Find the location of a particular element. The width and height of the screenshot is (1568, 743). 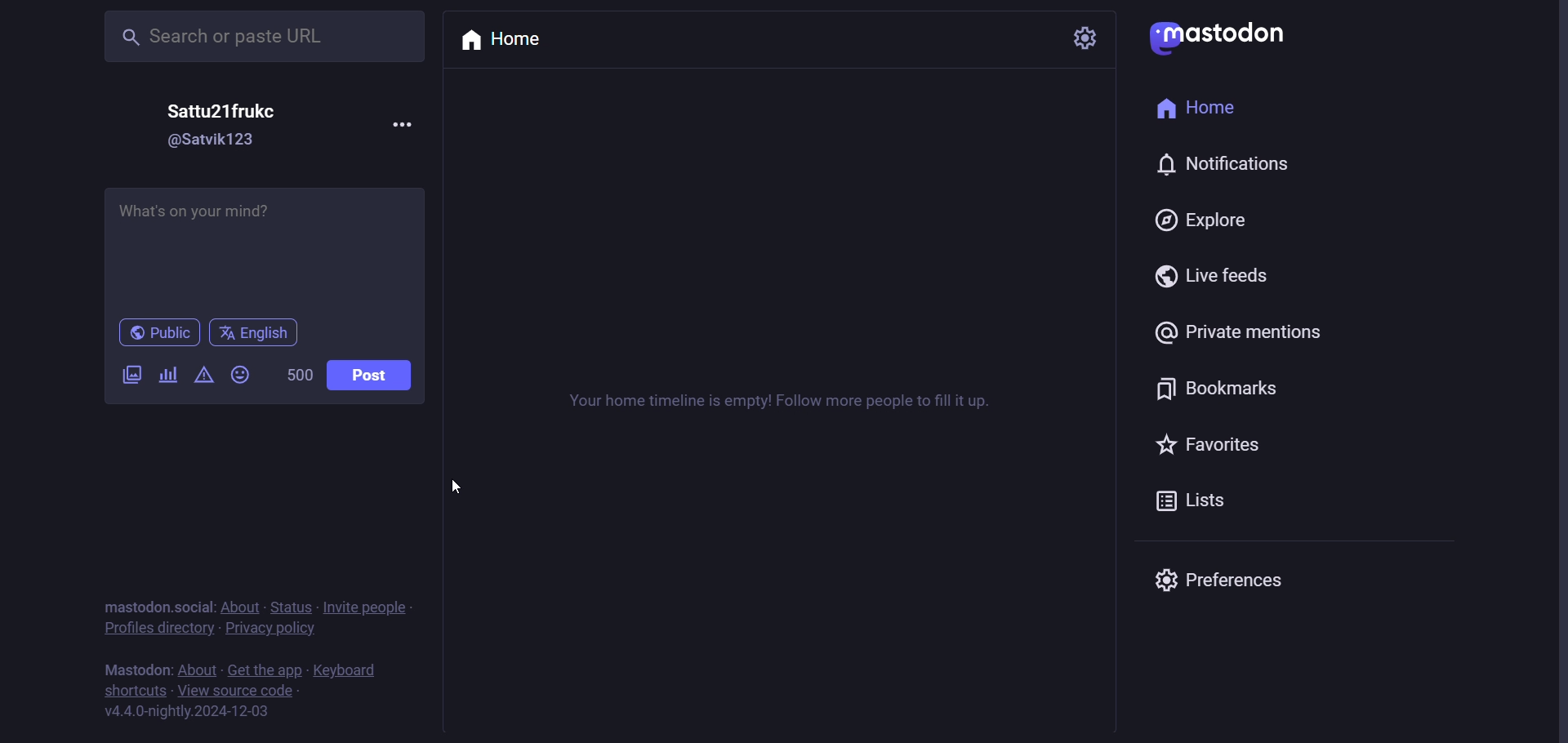

@Satvik123 is located at coordinates (221, 144).